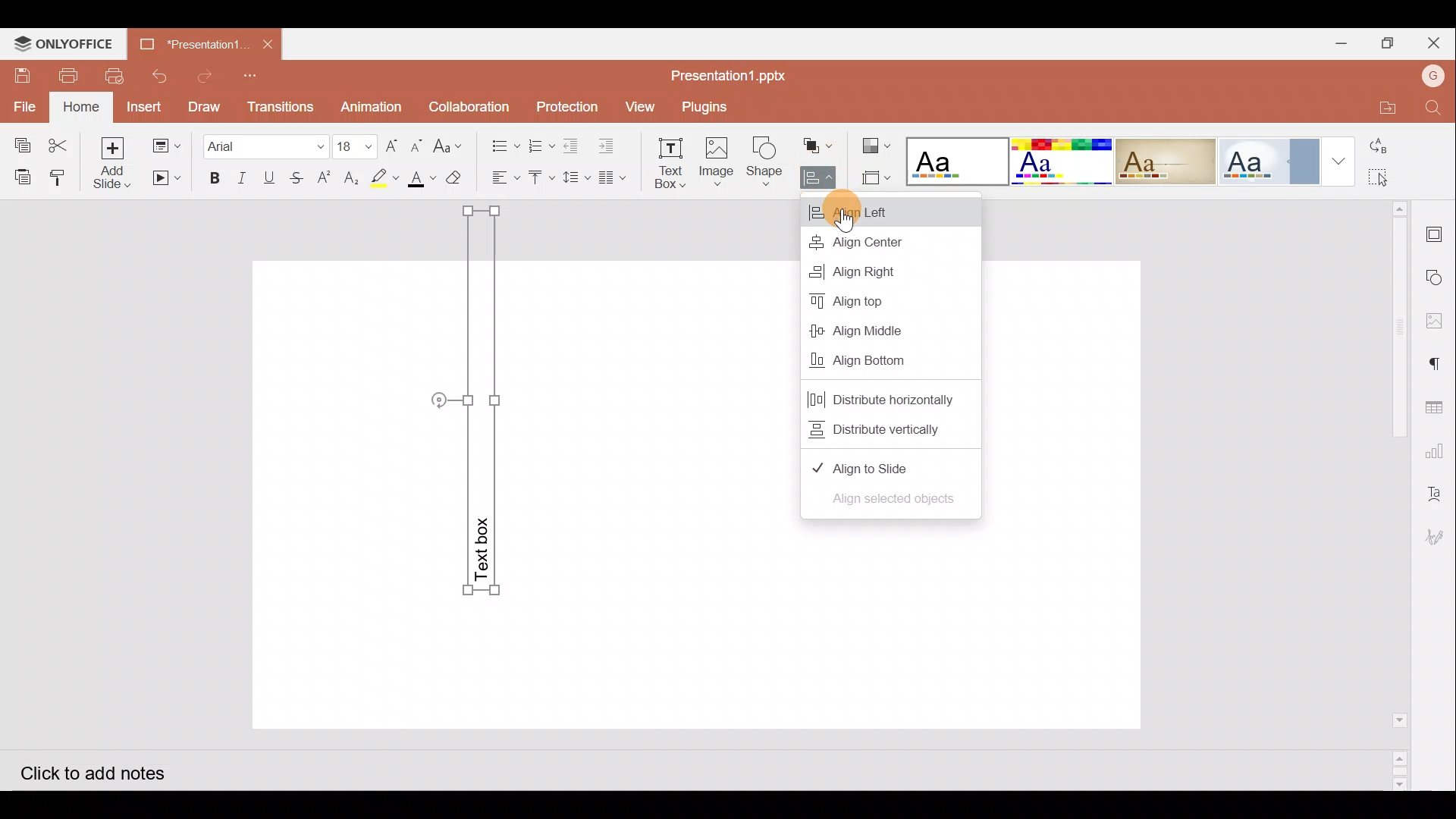 This screenshot has width=1456, height=819. Describe the element at coordinates (1438, 405) in the screenshot. I see `Table settings` at that location.